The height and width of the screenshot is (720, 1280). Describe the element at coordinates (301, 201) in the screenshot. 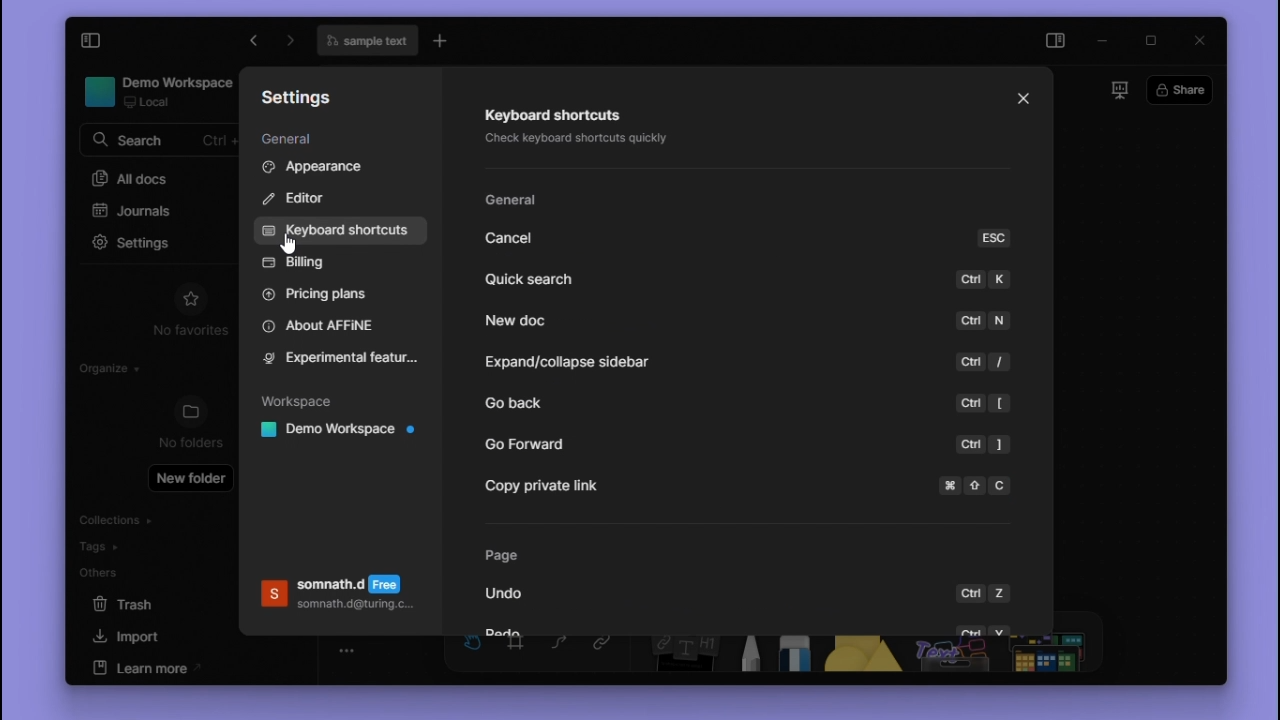

I see `Editor` at that location.